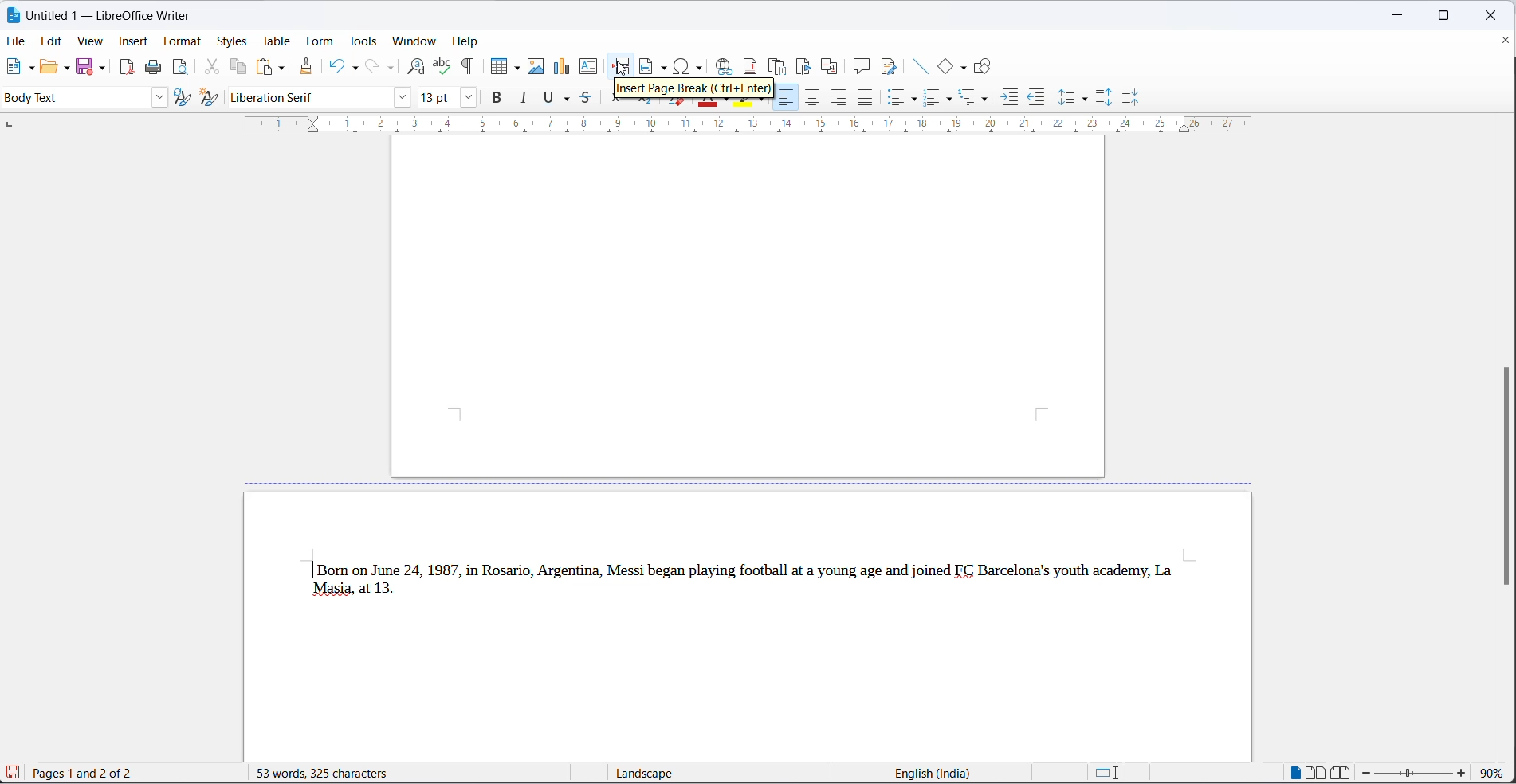 The height and width of the screenshot is (784, 1516). I want to click on words and character count, so click(310, 774).